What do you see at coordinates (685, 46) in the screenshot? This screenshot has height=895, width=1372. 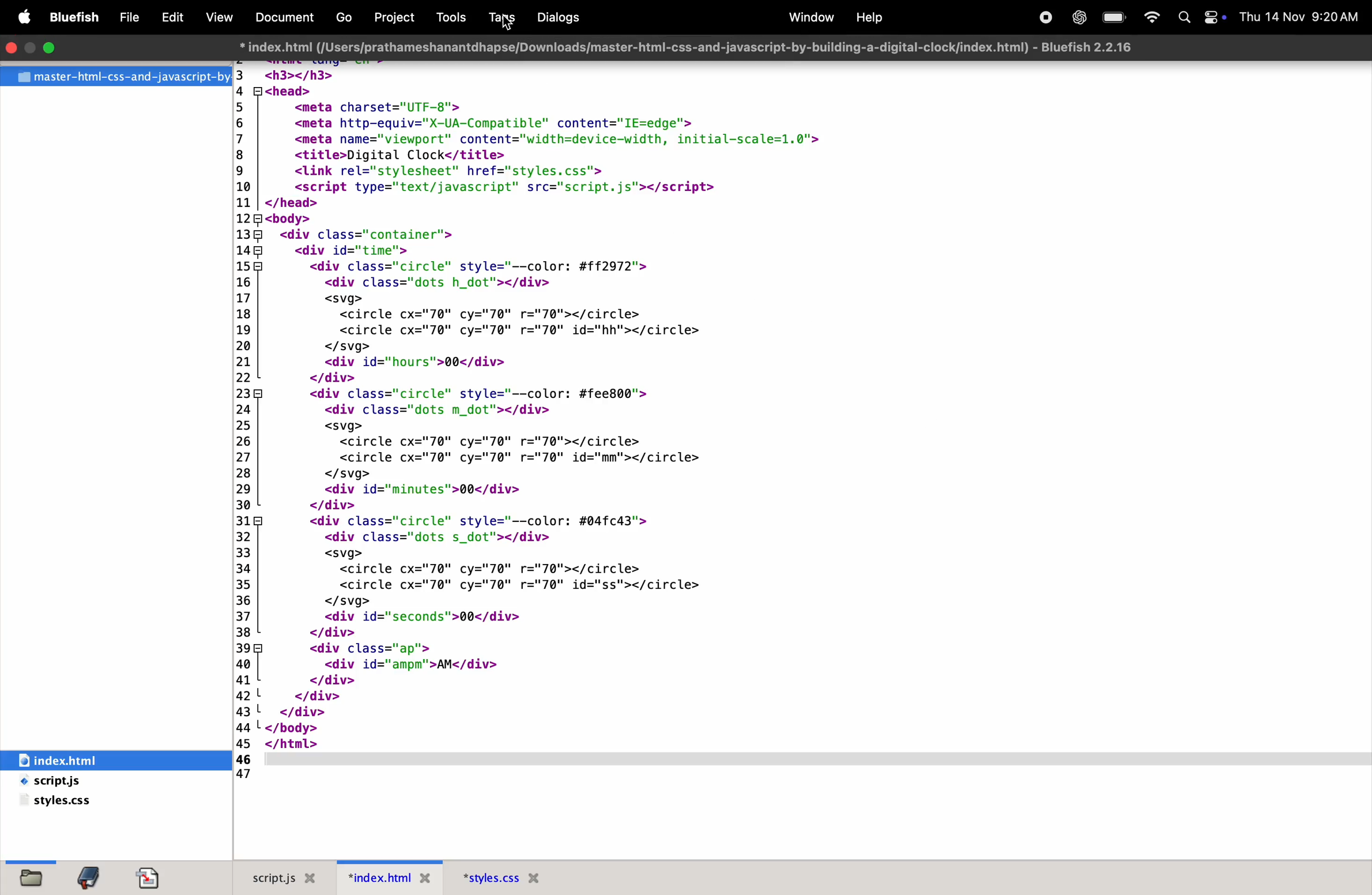 I see `index.html` at bounding box center [685, 46].